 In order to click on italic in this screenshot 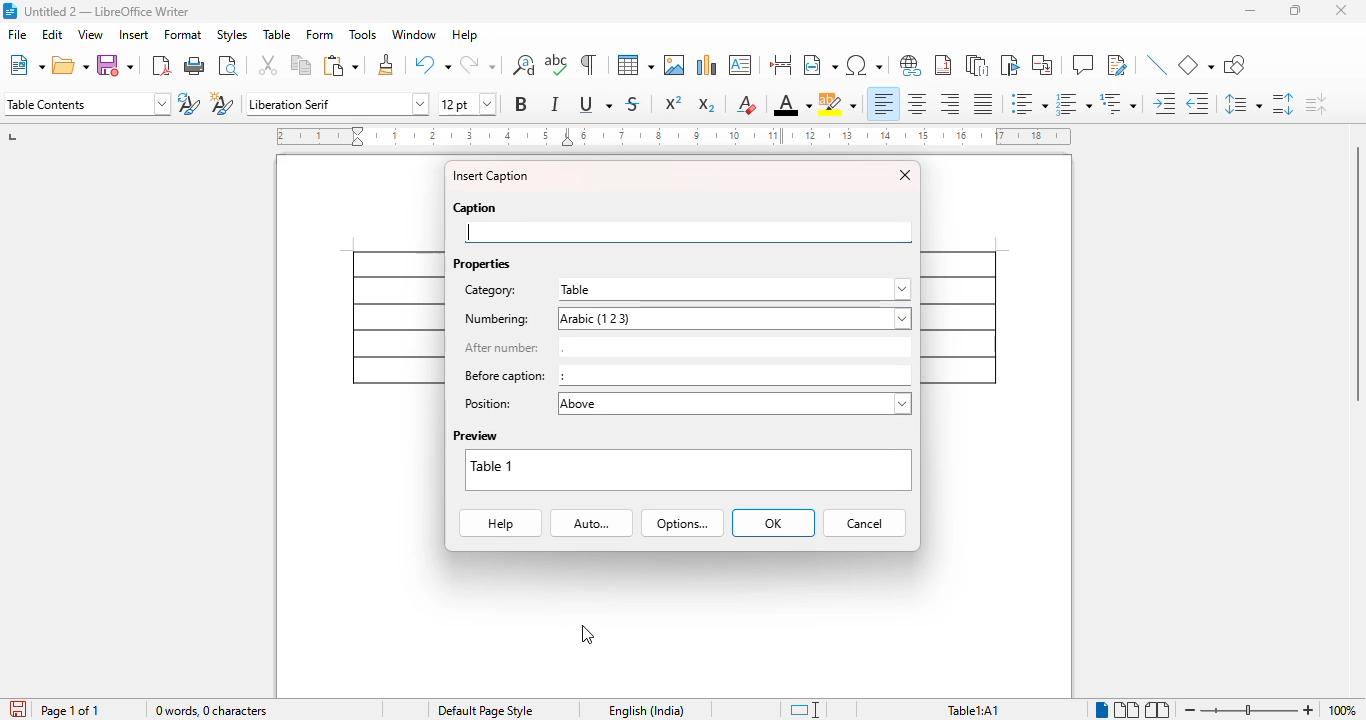, I will do `click(554, 104)`.